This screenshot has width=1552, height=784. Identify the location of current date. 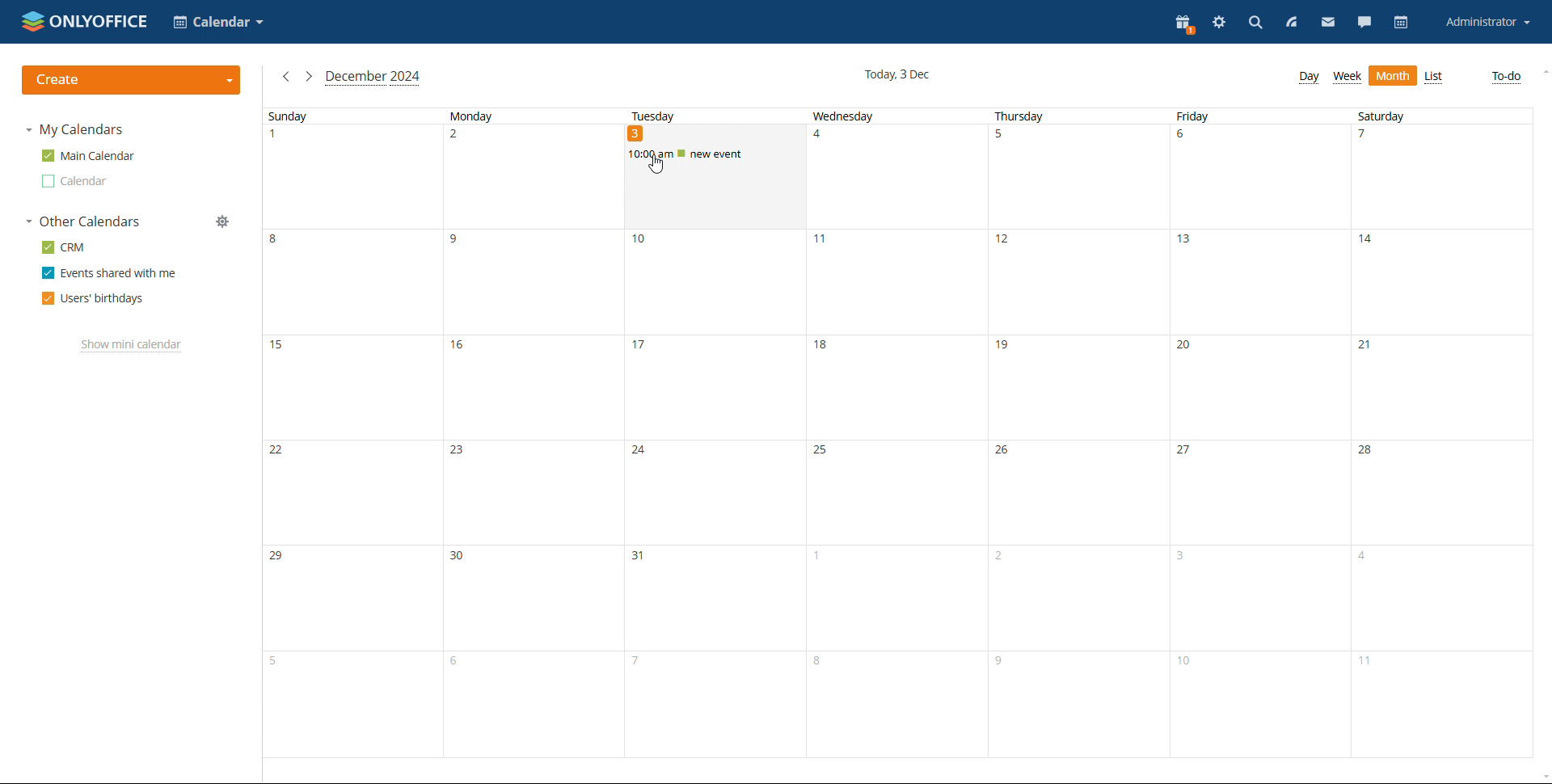
(896, 76).